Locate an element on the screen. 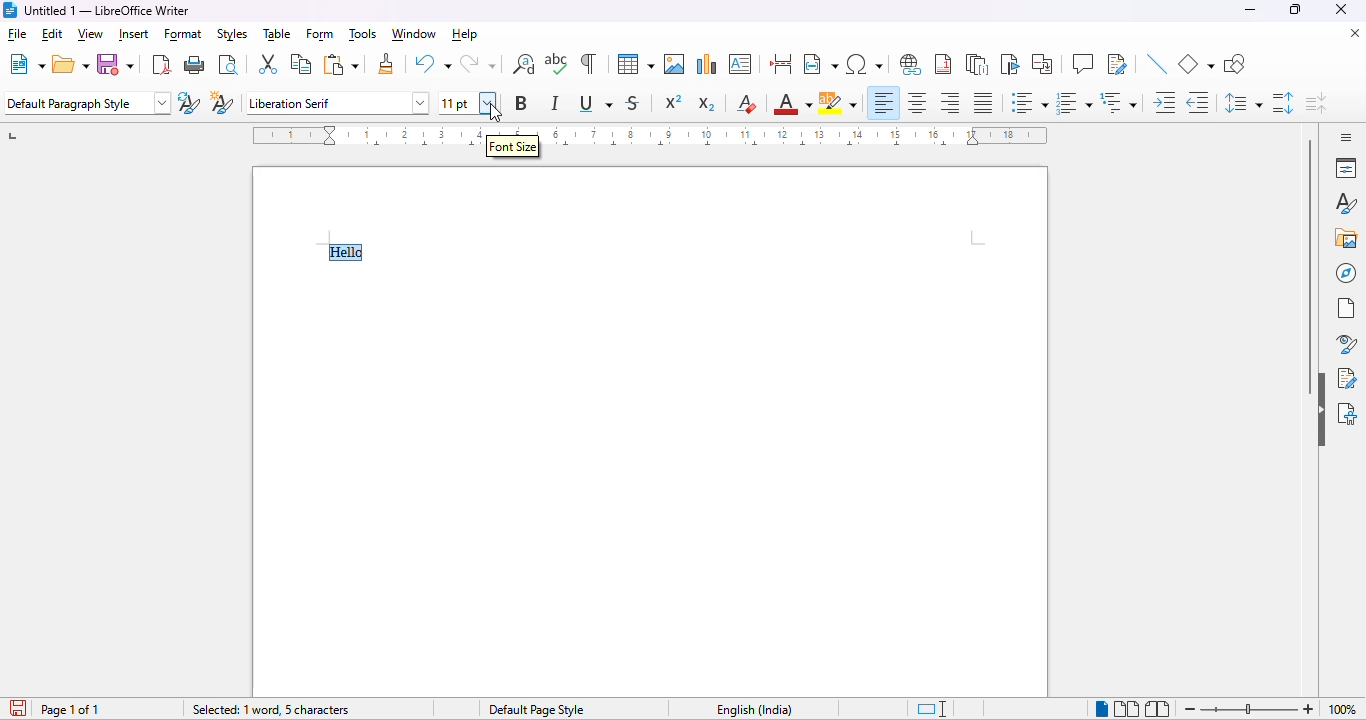 This screenshot has height=720, width=1366. Liberation Serif is located at coordinates (334, 101).